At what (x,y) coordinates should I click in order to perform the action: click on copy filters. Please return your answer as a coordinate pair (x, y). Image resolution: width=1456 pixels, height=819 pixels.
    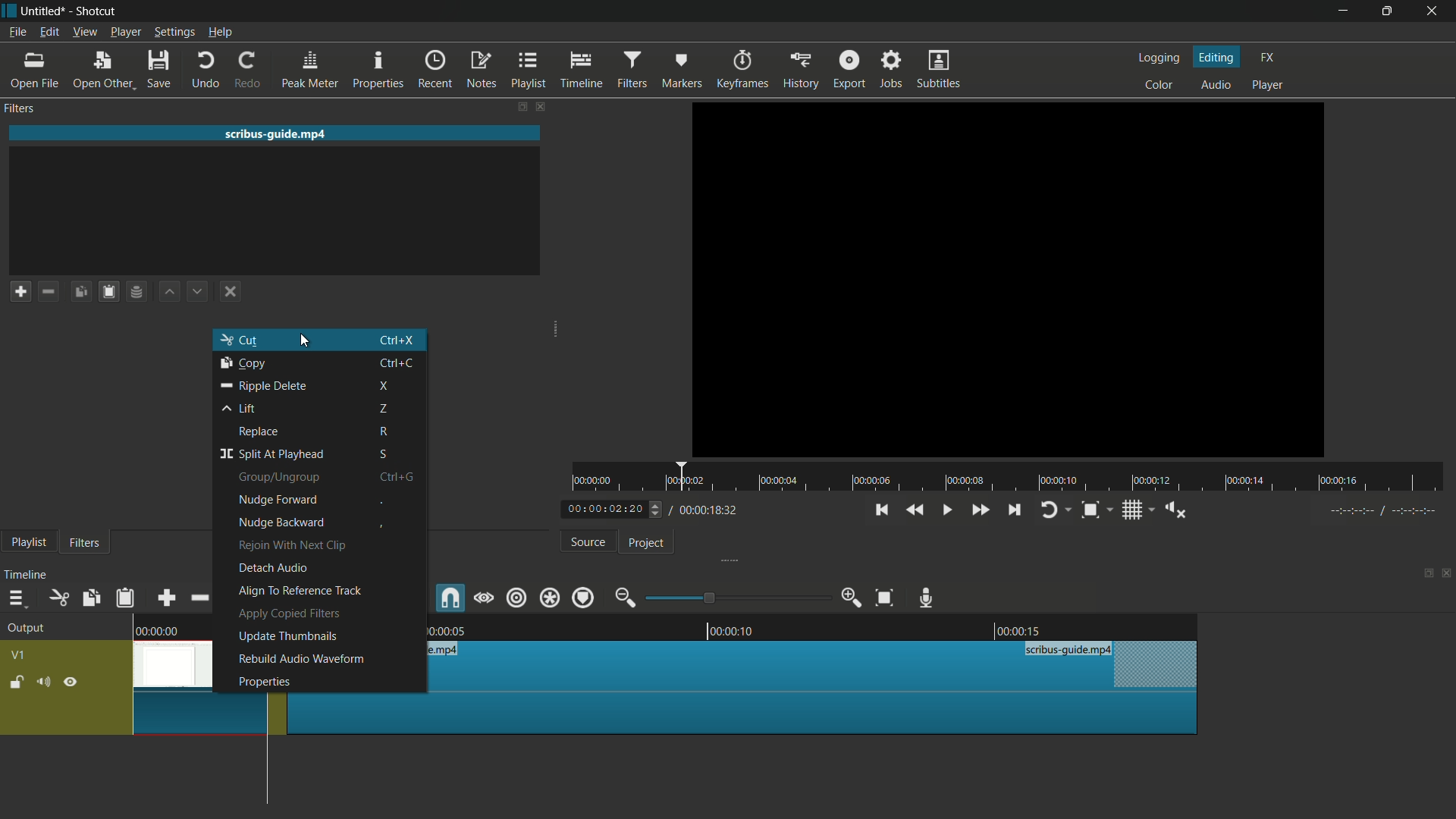
    Looking at the image, I should click on (81, 292).